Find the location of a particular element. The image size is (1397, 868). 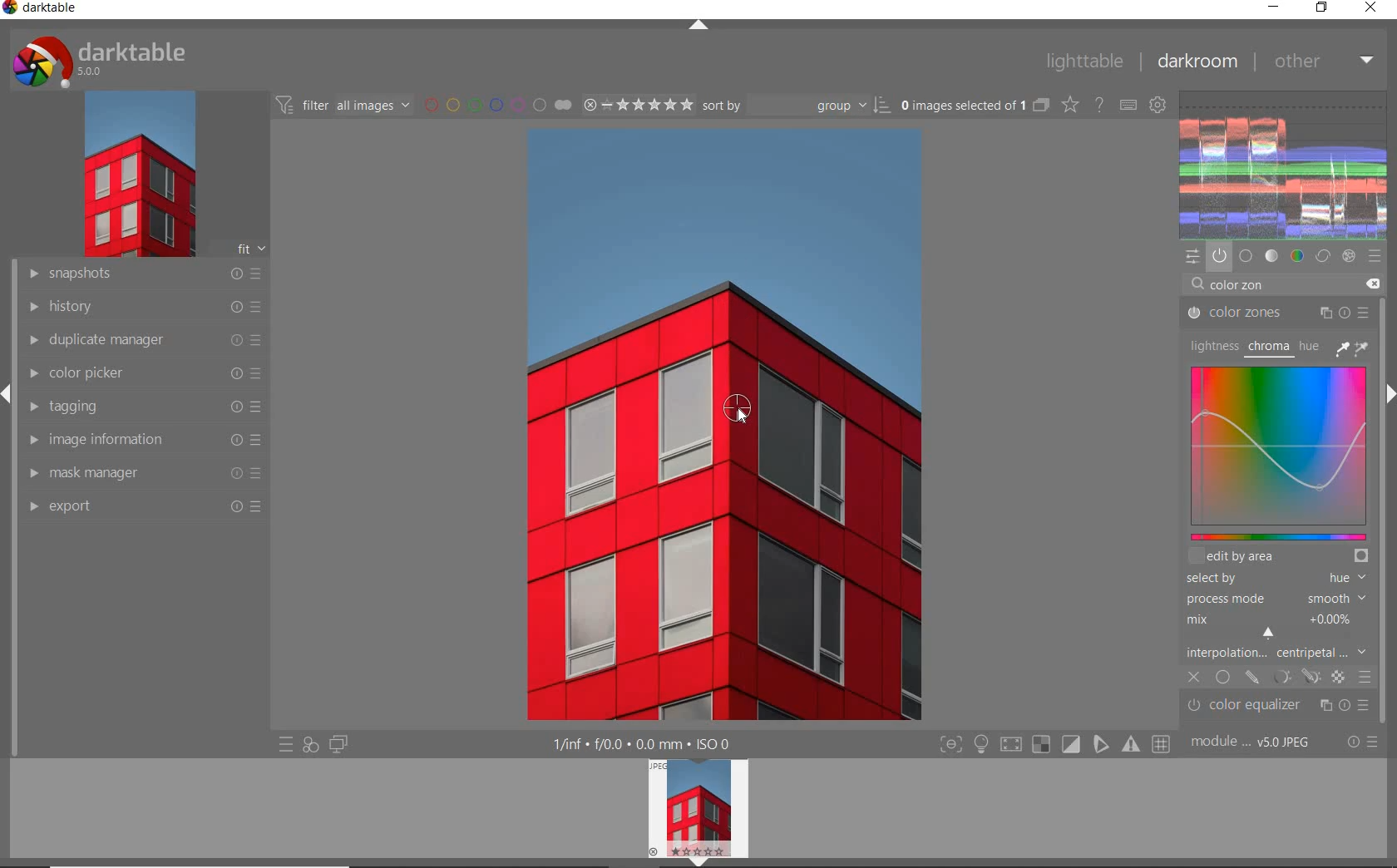

UNIFORMLY is located at coordinates (1222, 678).